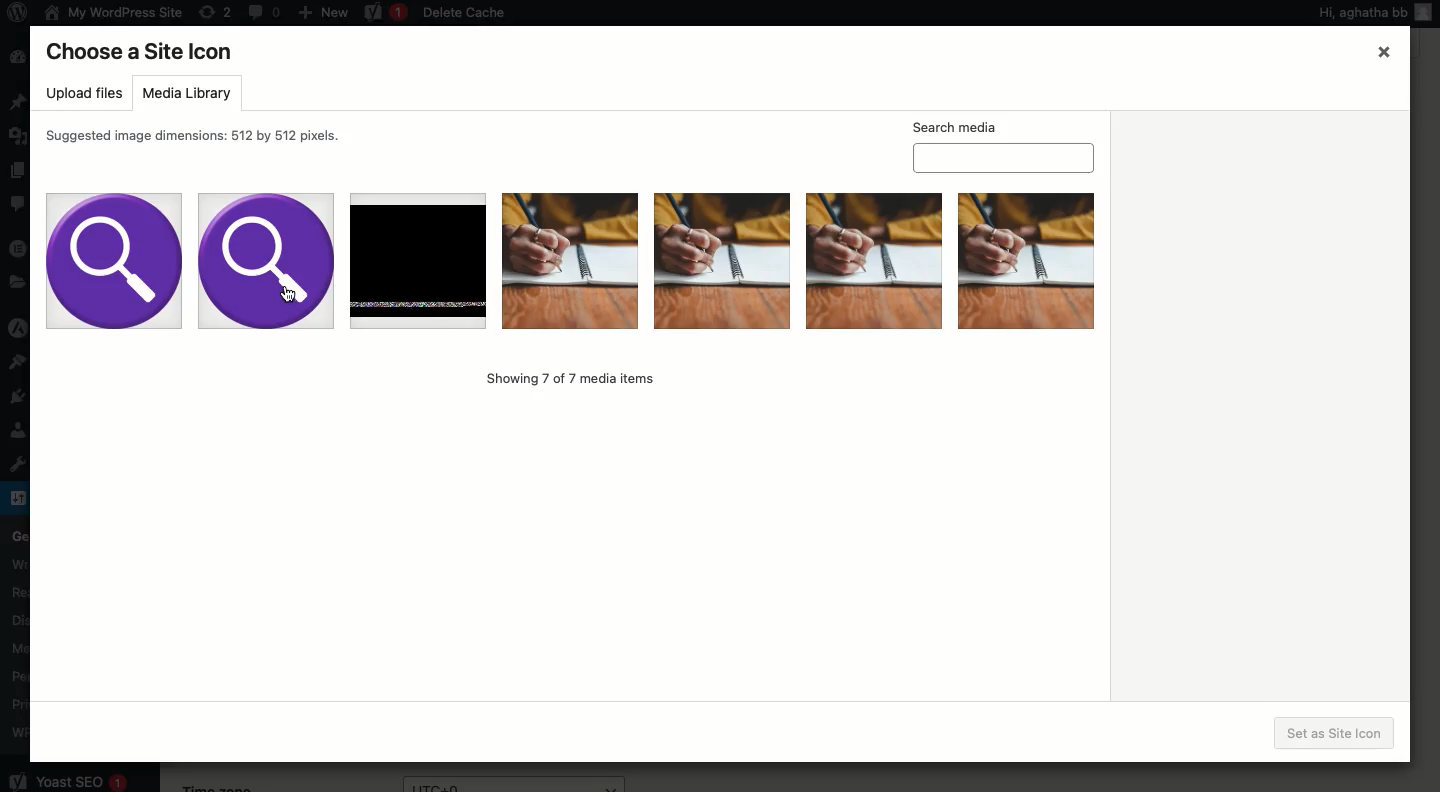 The width and height of the screenshot is (1440, 792). I want to click on Media, so click(19, 646).